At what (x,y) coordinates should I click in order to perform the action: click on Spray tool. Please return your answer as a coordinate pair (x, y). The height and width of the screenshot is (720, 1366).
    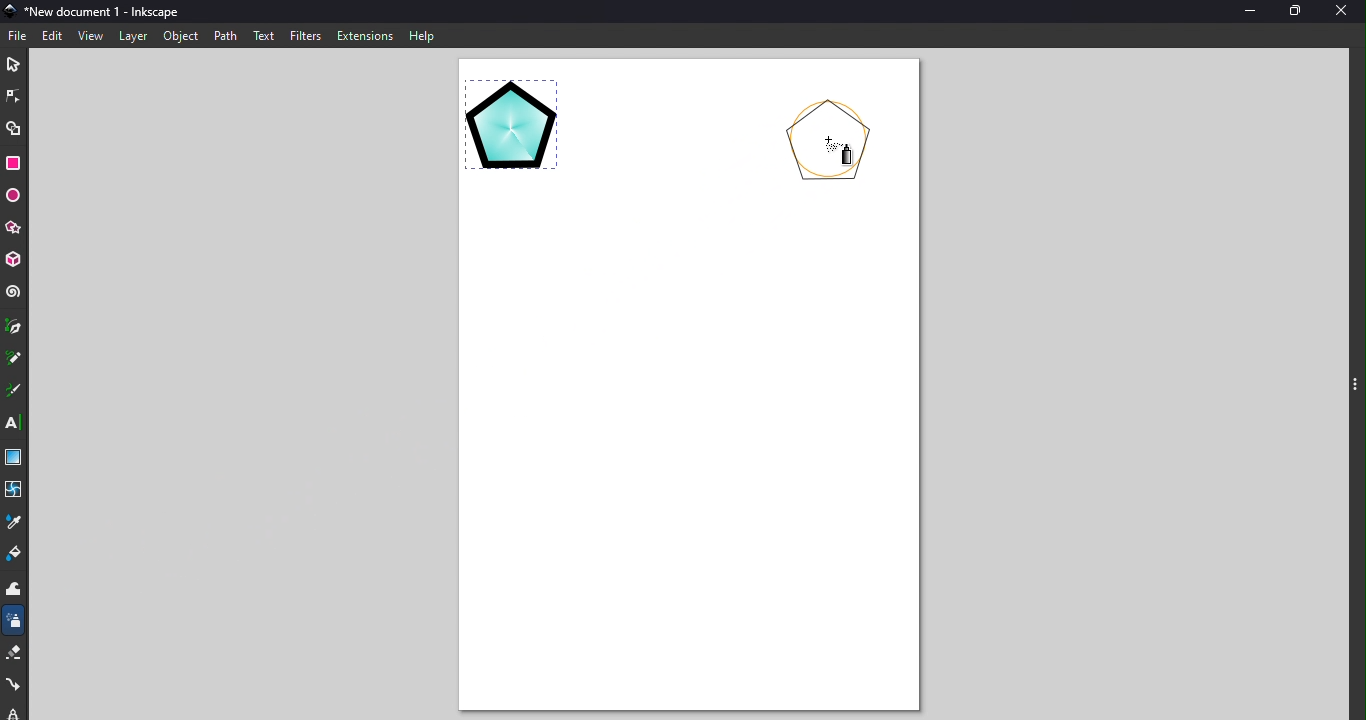
    Looking at the image, I should click on (14, 624).